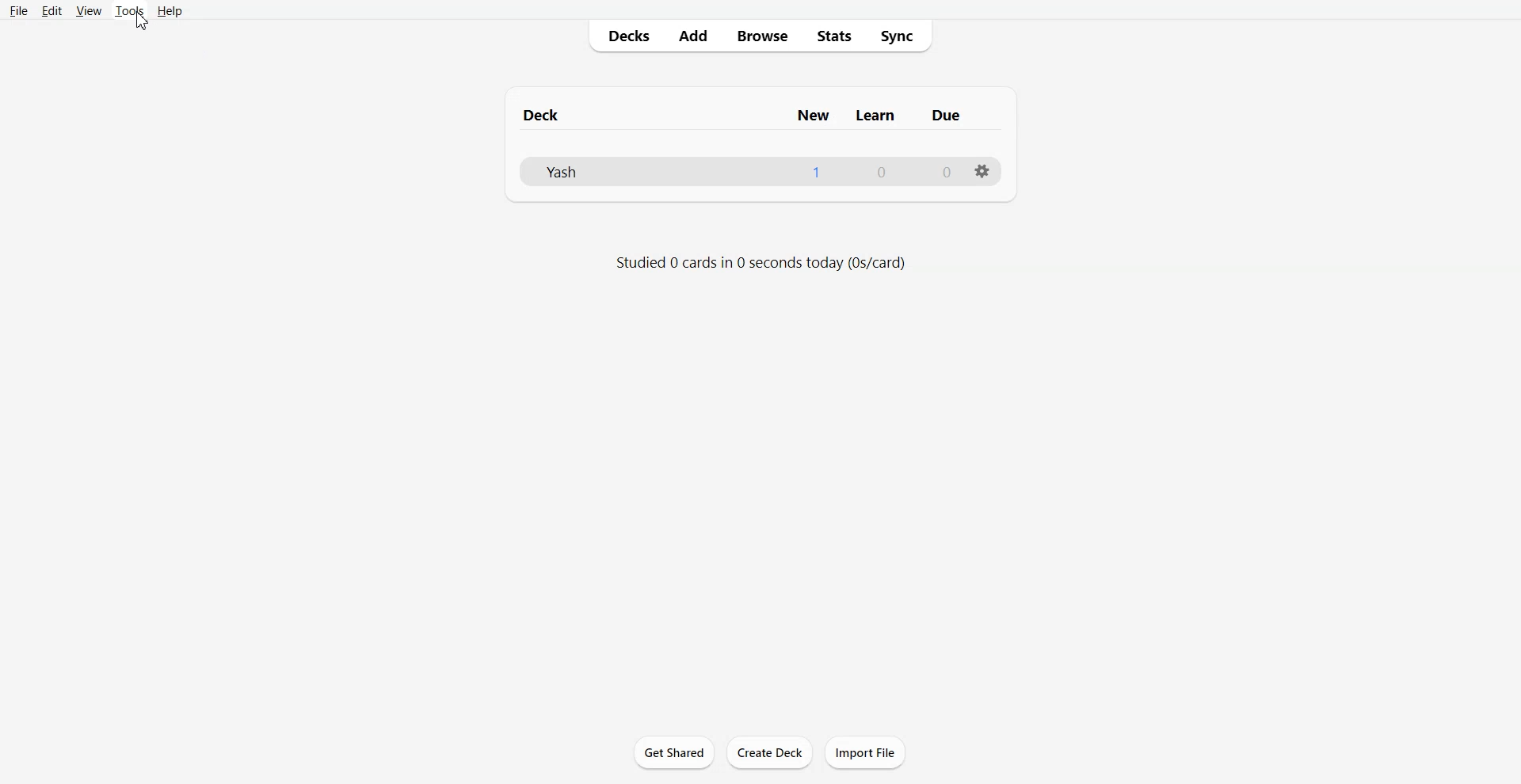 The width and height of the screenshot is (1521, 784). What do you see at coordinates (834, 36) in the screenshot?
I see `Stats` at bounding box center [834, 36].